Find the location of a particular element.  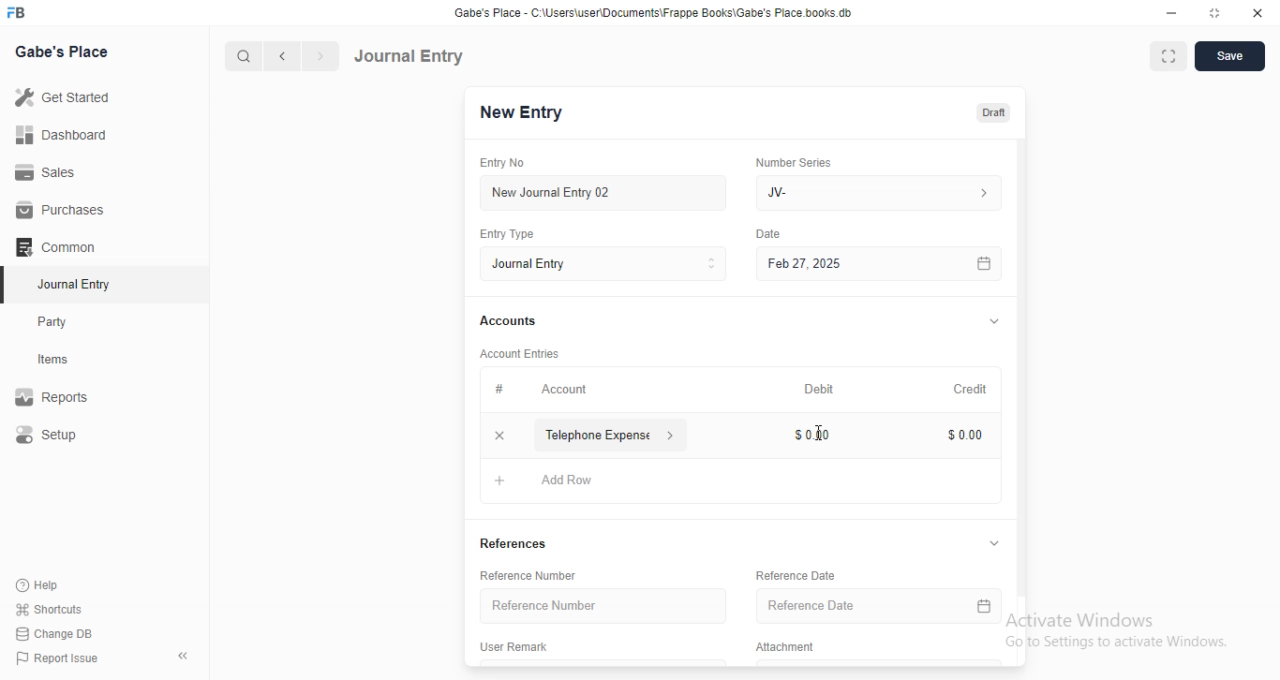

Minimize is located at coordinates (1170, 12).